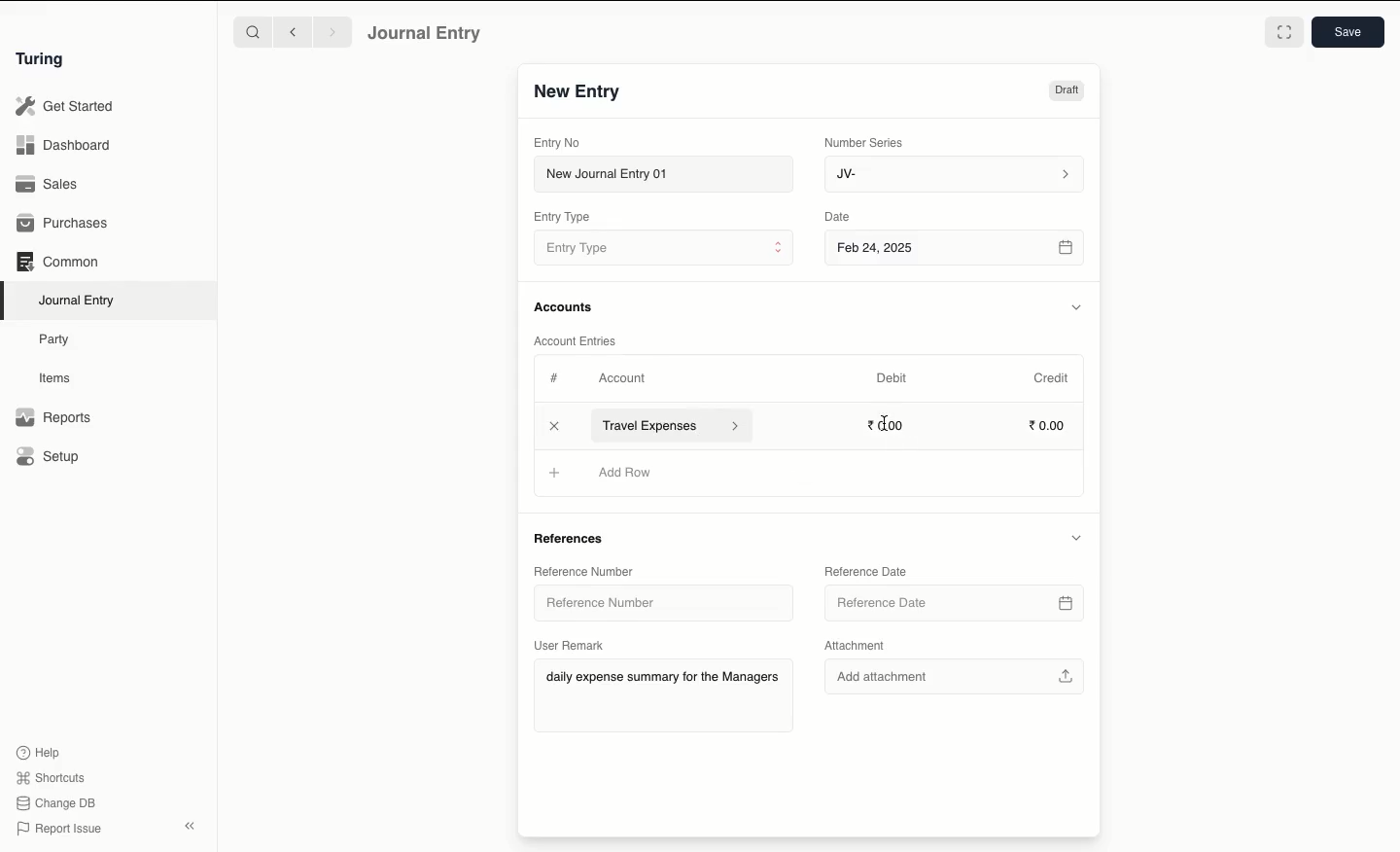 The width and height of the screenshot is (1400, 852). I want to click on Add, so click(553, 470).